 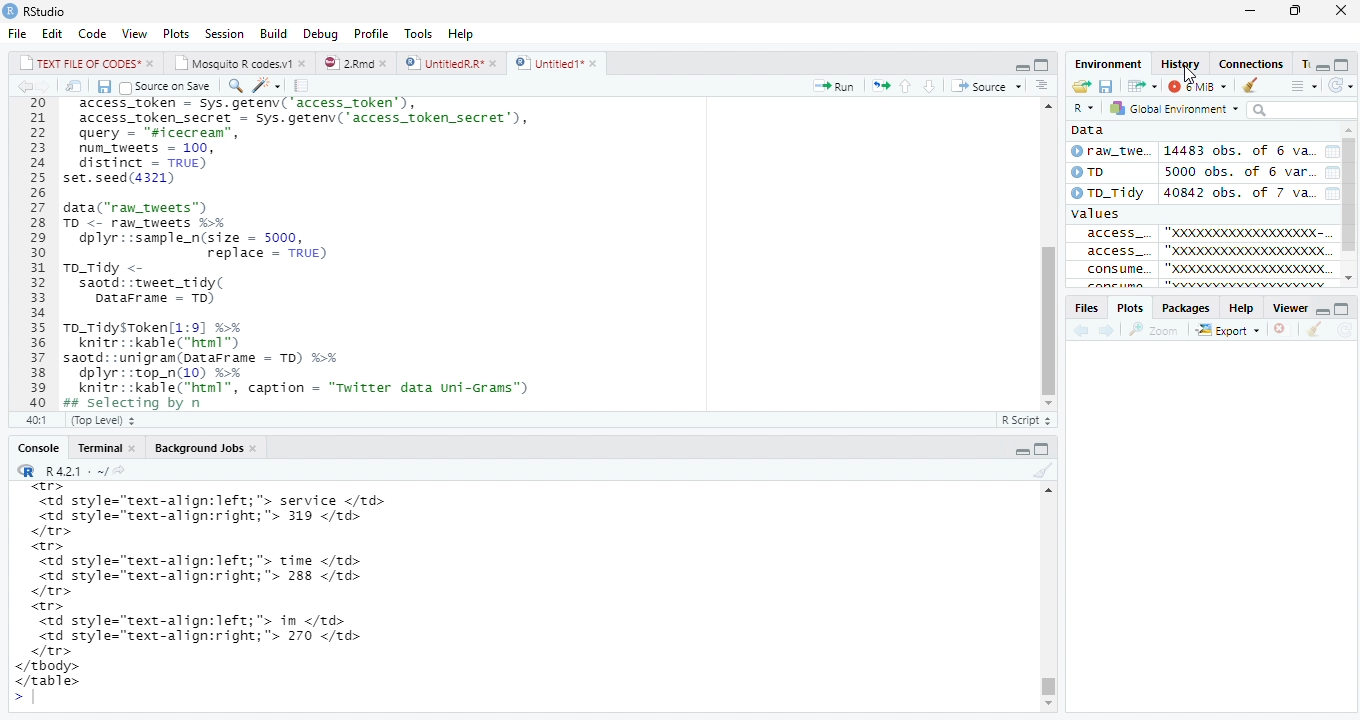 What do you see at coordinates (1039, 471) in the screenshot?
I see `clear console` at bounding box center [1039, 471].